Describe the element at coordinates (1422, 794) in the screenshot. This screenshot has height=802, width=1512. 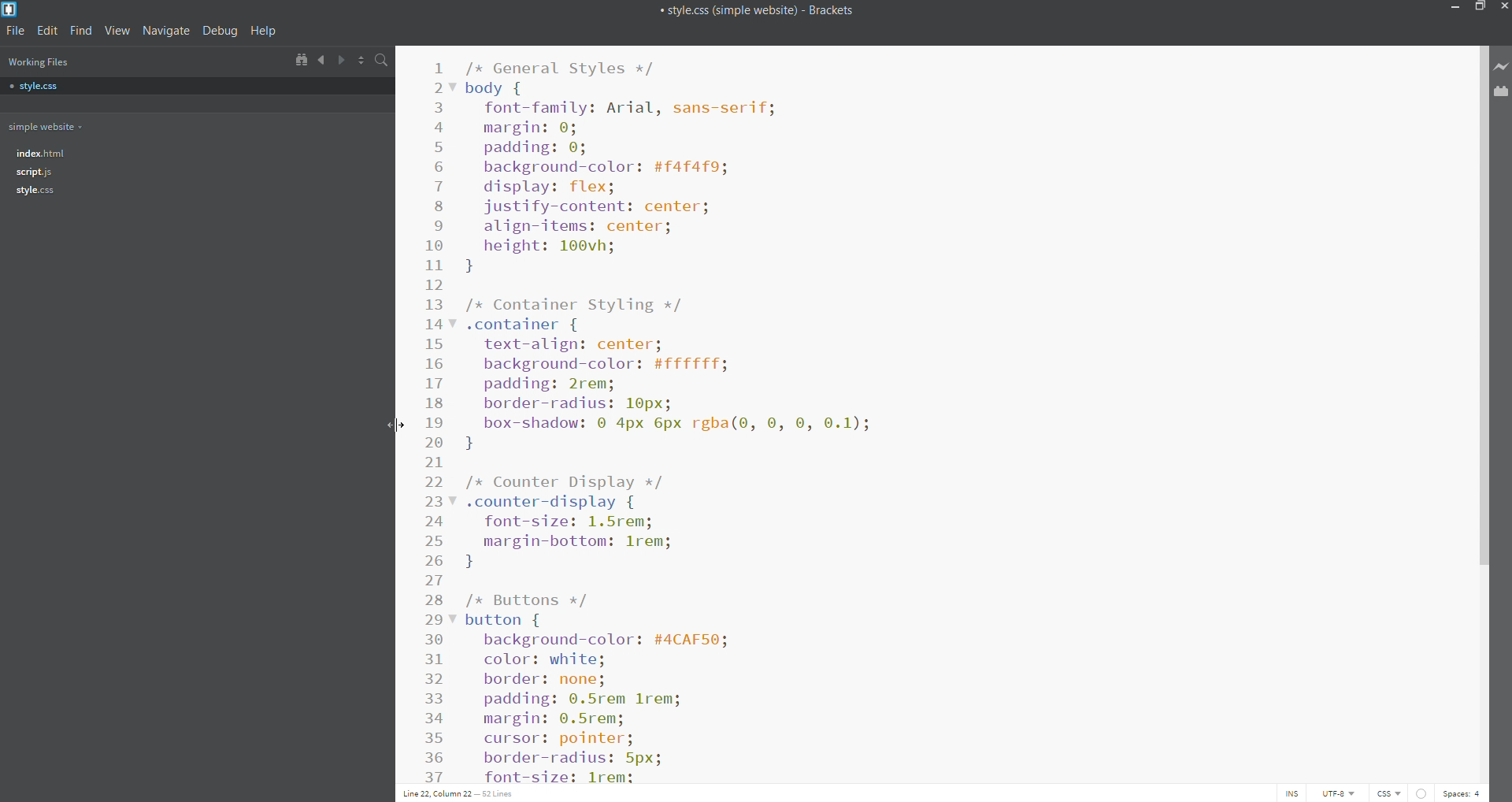
I see `show error` at that location.